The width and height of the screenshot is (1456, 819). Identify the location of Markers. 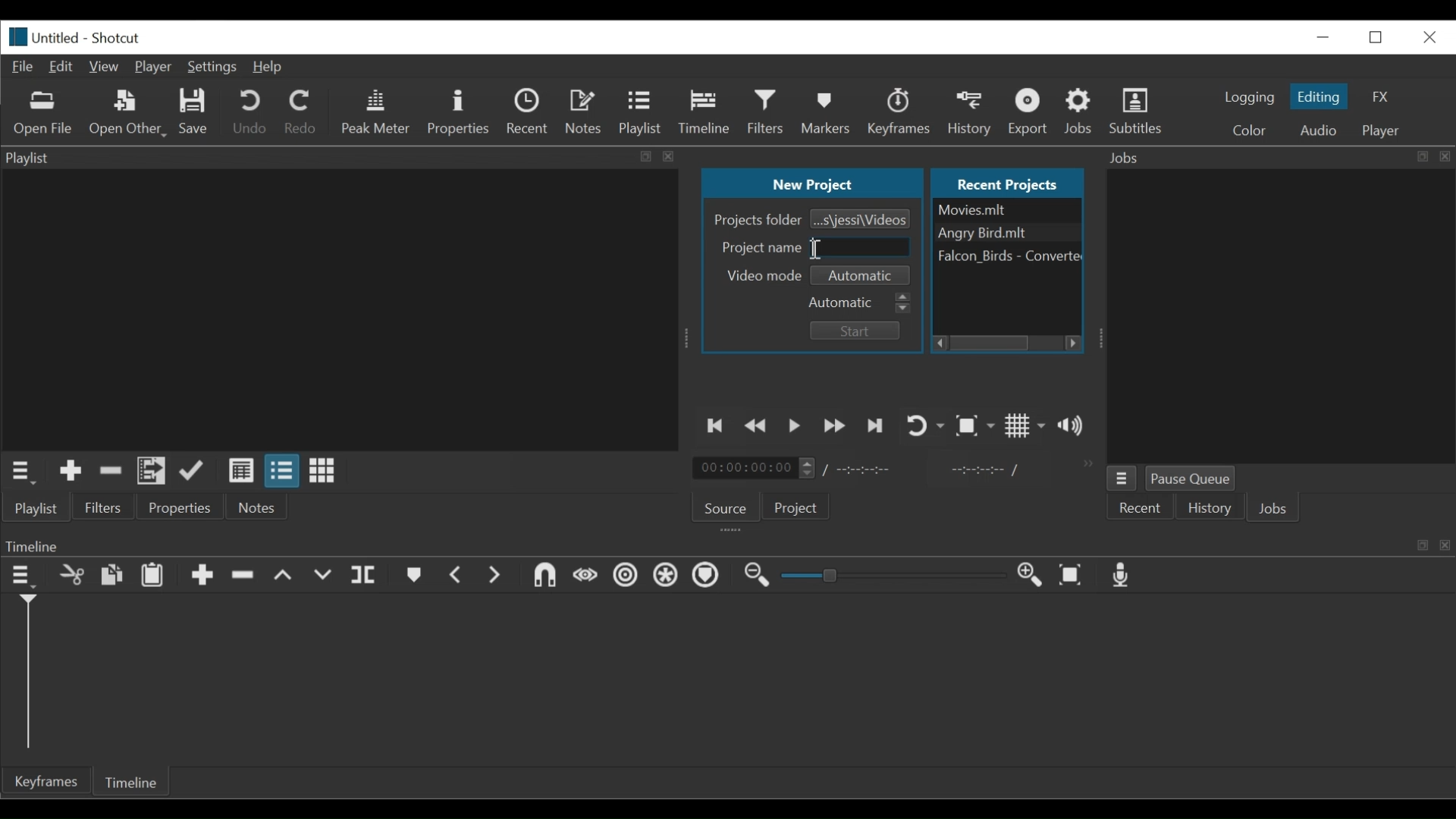
(827, 113).